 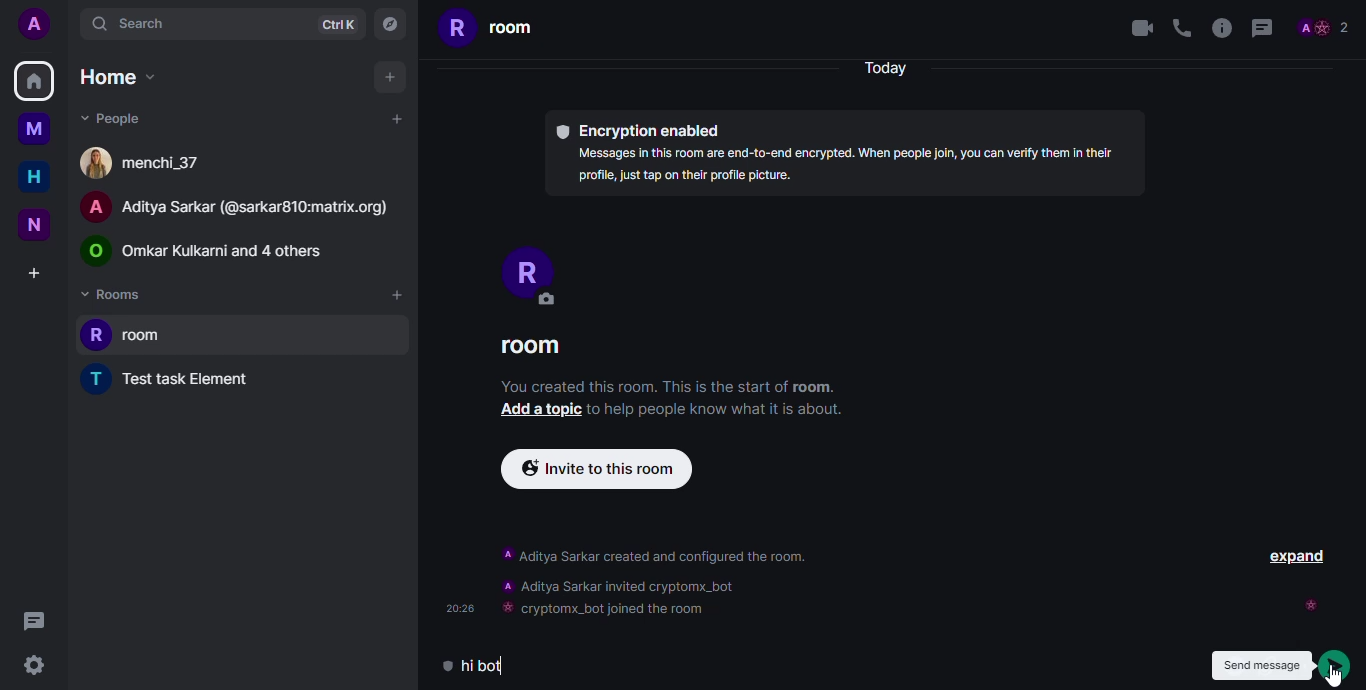 What do you see at coordinates (34, 177) in the screenshot?
I see `home` at bounding box center [34, 177].